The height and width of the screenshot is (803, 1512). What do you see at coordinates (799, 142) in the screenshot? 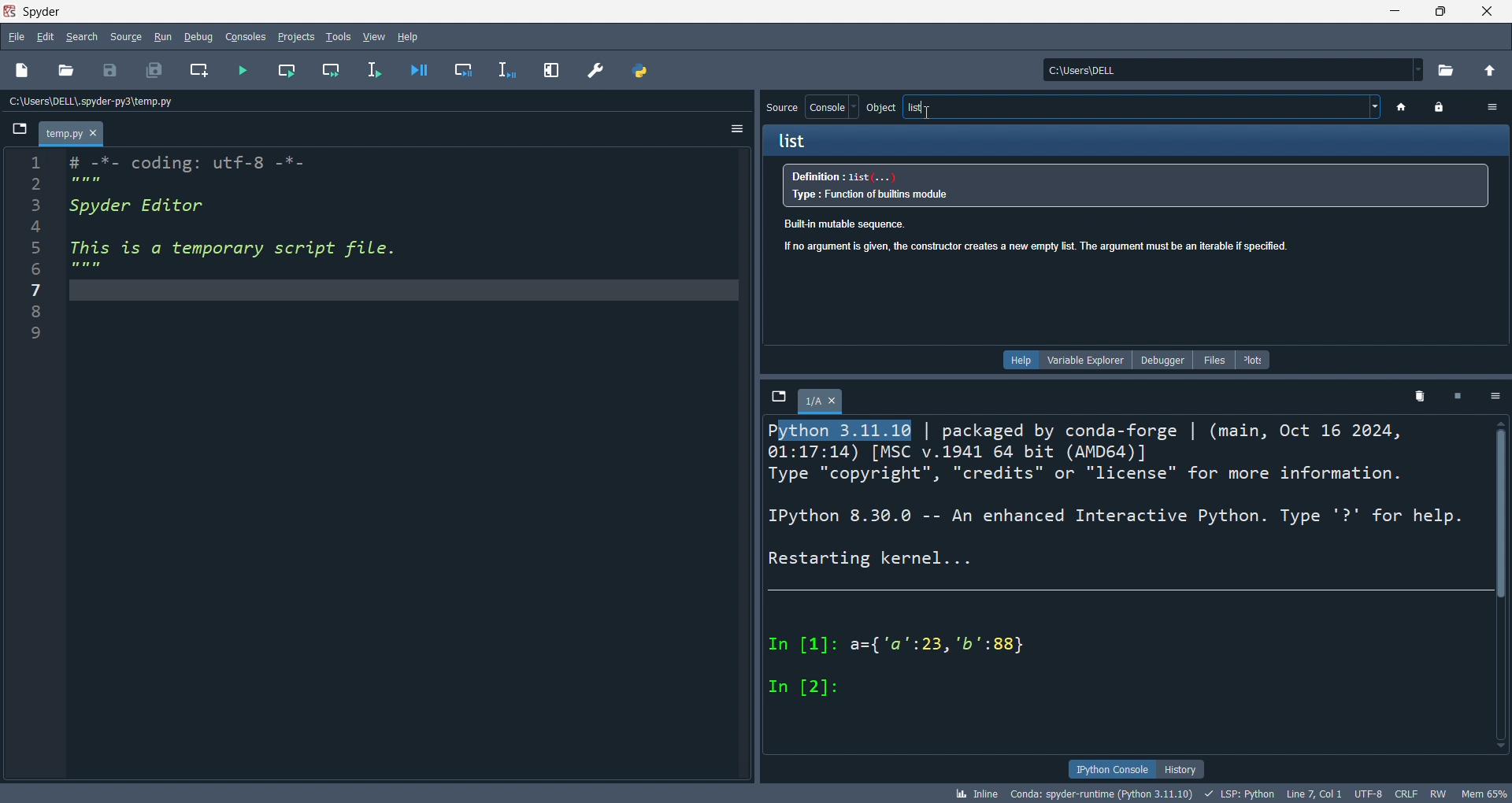
I see `list` at bounding box center [799, 142].